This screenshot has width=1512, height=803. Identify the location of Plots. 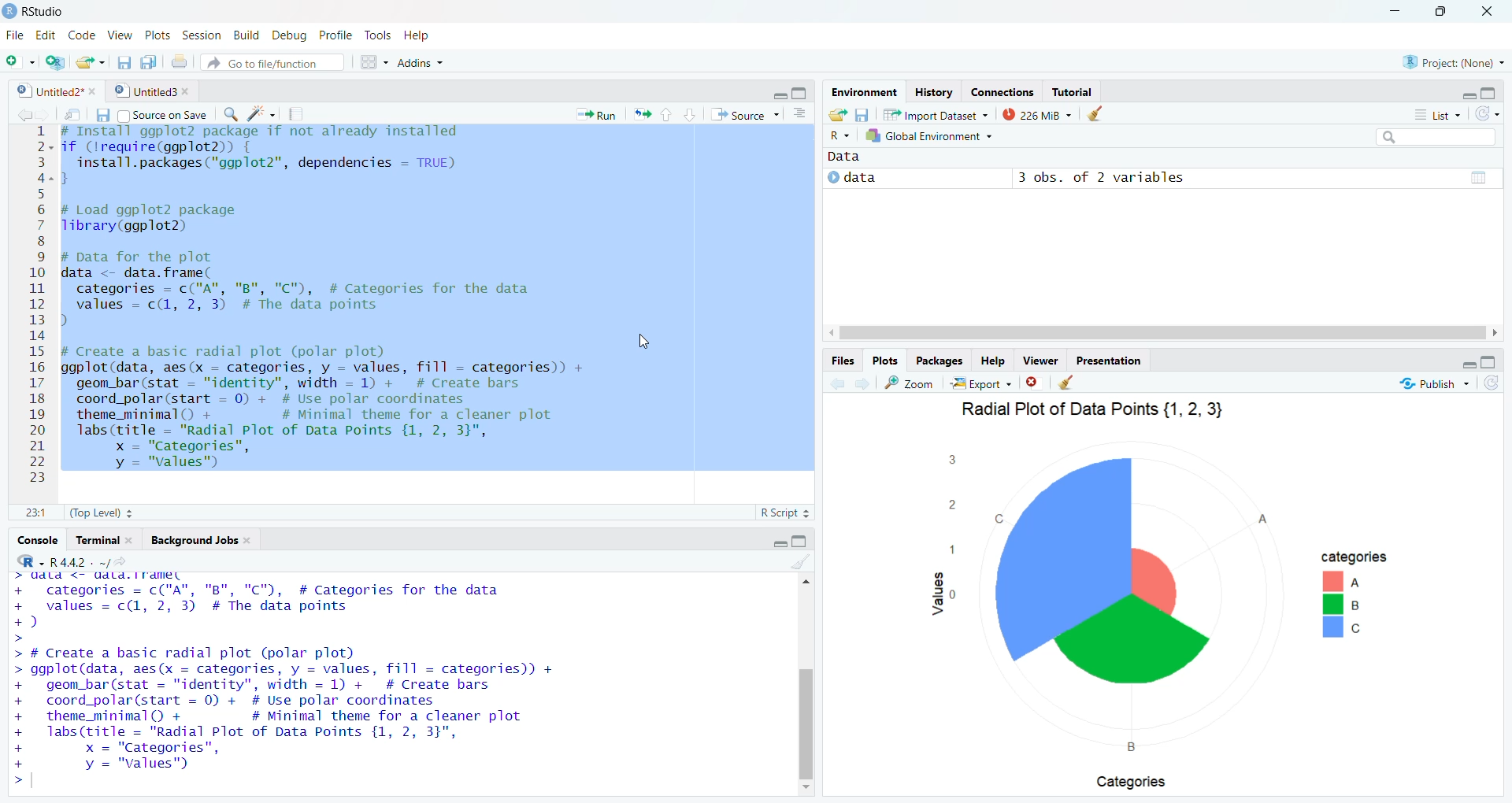
(888, 361).